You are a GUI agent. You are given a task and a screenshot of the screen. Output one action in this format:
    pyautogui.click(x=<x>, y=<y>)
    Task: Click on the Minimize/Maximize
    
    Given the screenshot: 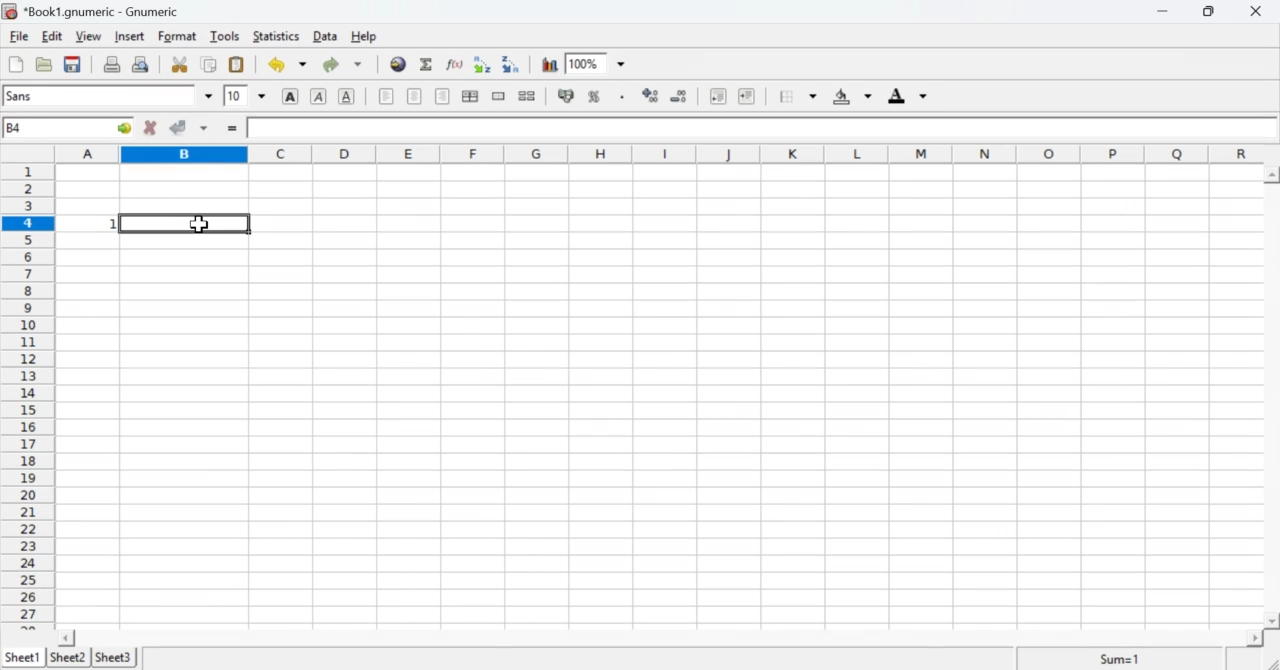 What is the action you would take?
    pyautogui.click(x=1210, y=12)
    